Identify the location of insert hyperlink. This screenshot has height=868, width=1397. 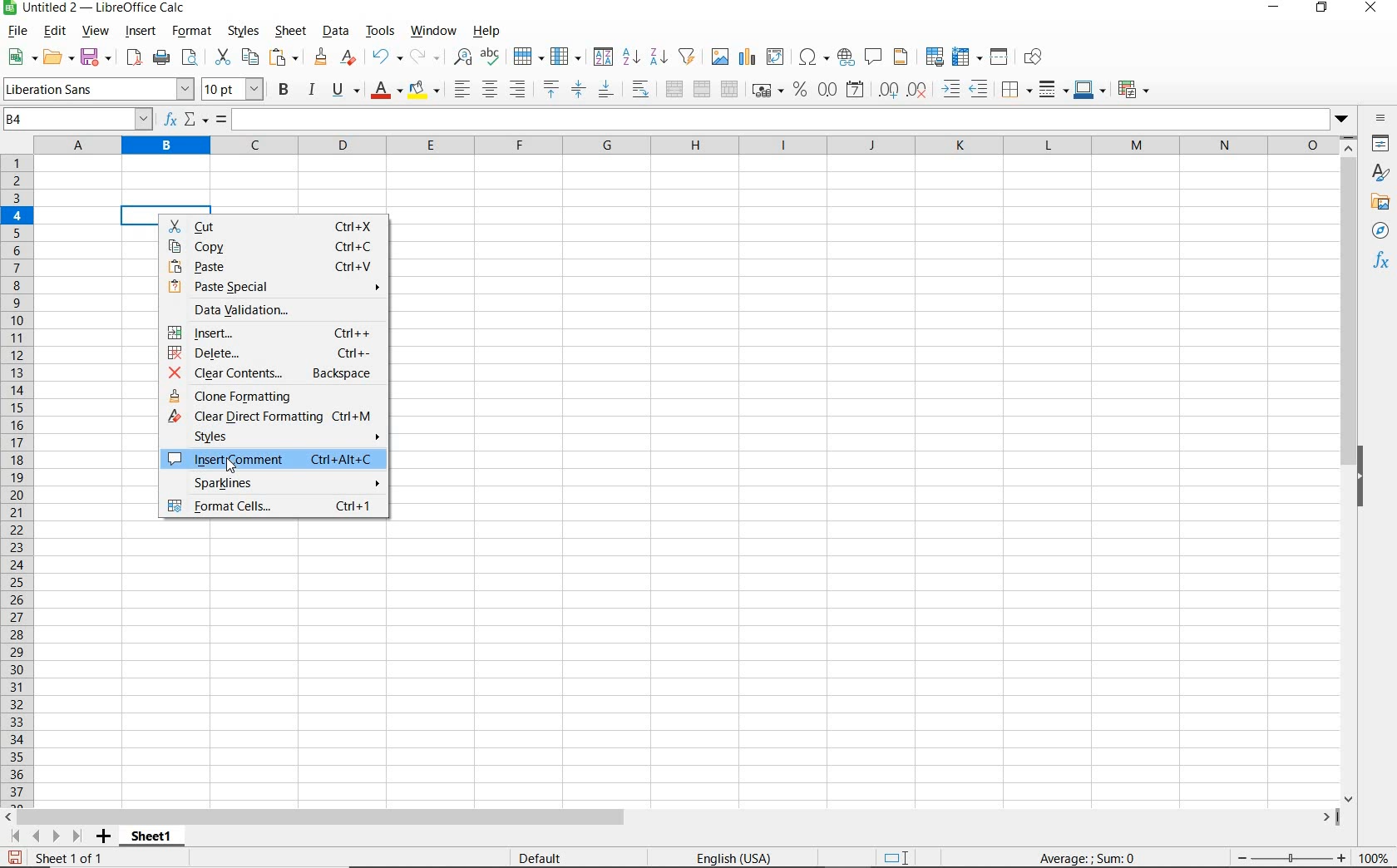
(846, 57).